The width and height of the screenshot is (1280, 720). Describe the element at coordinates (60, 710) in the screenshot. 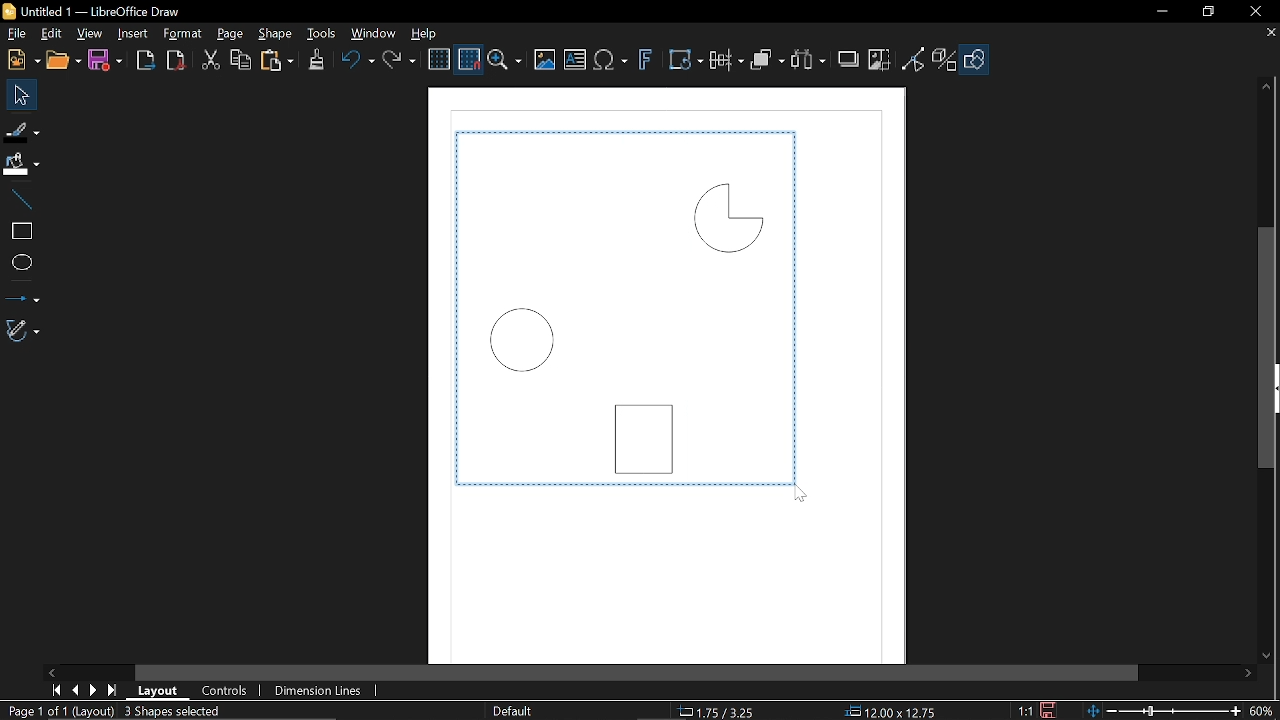

I see `page 1of 1 (Layout)` at that location.